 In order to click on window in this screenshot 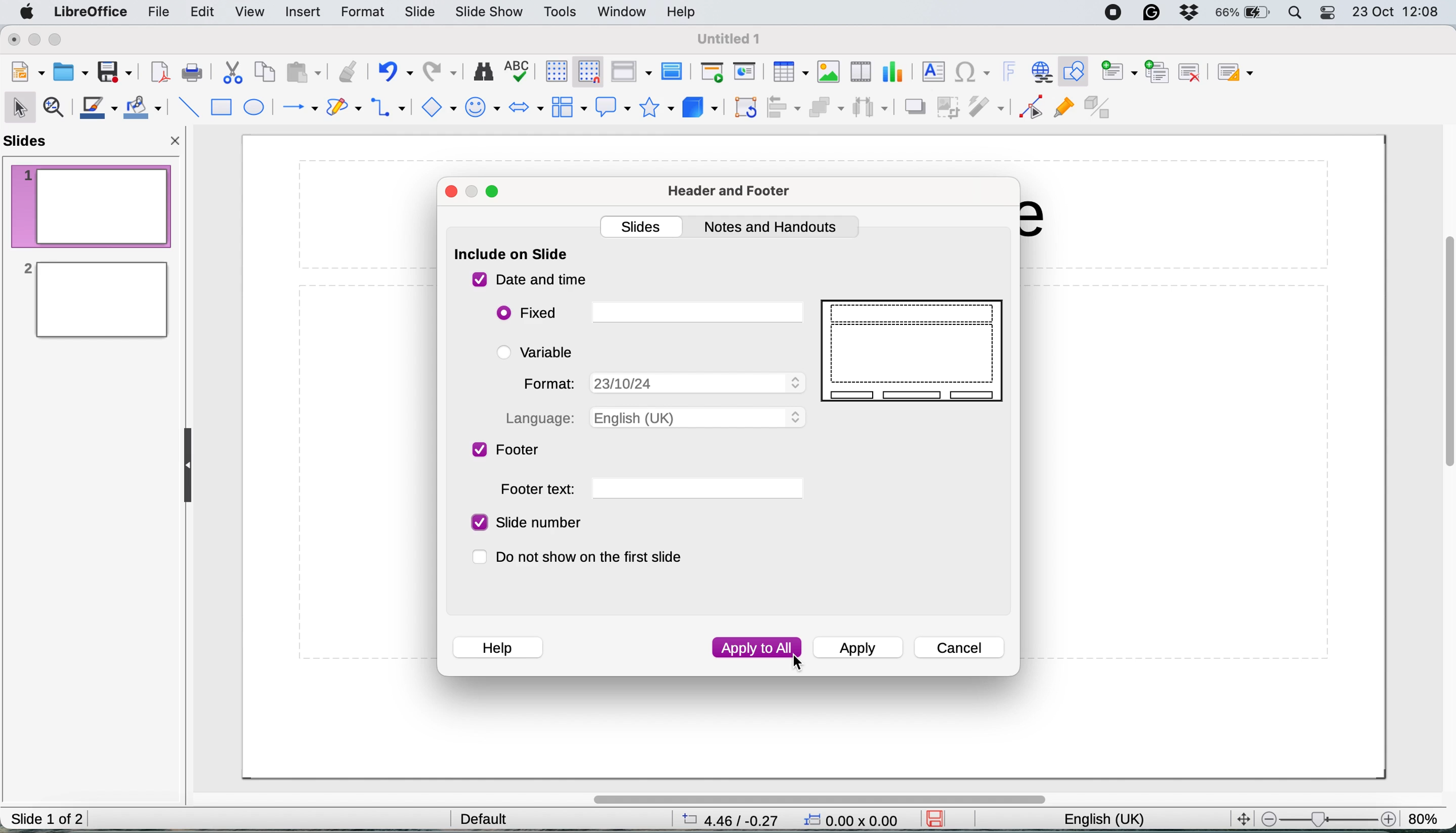, I will do `click(623, 13)`.